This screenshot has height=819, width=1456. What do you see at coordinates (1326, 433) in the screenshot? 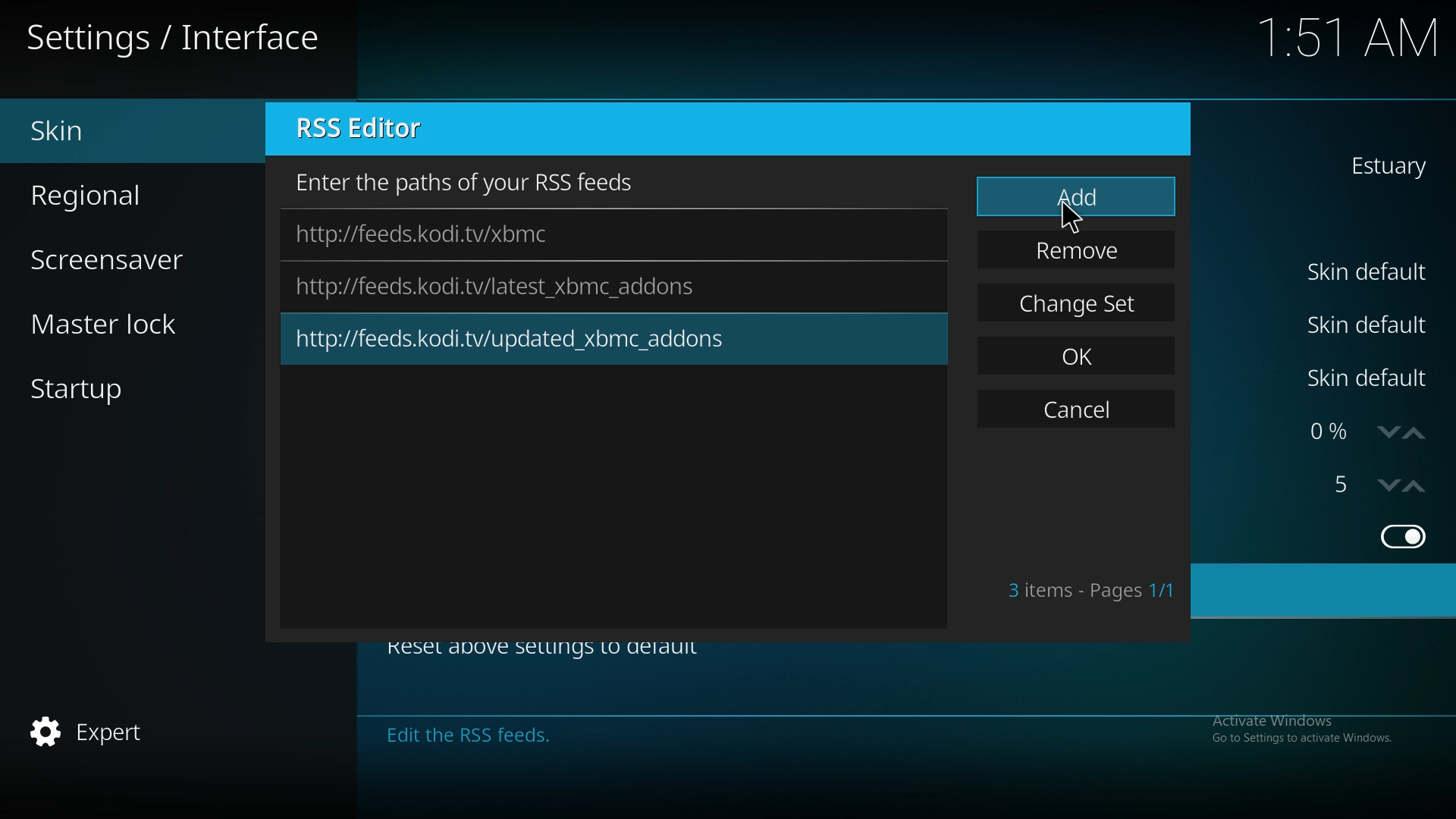
I see `zoom` at bounding box center [1326, 433].